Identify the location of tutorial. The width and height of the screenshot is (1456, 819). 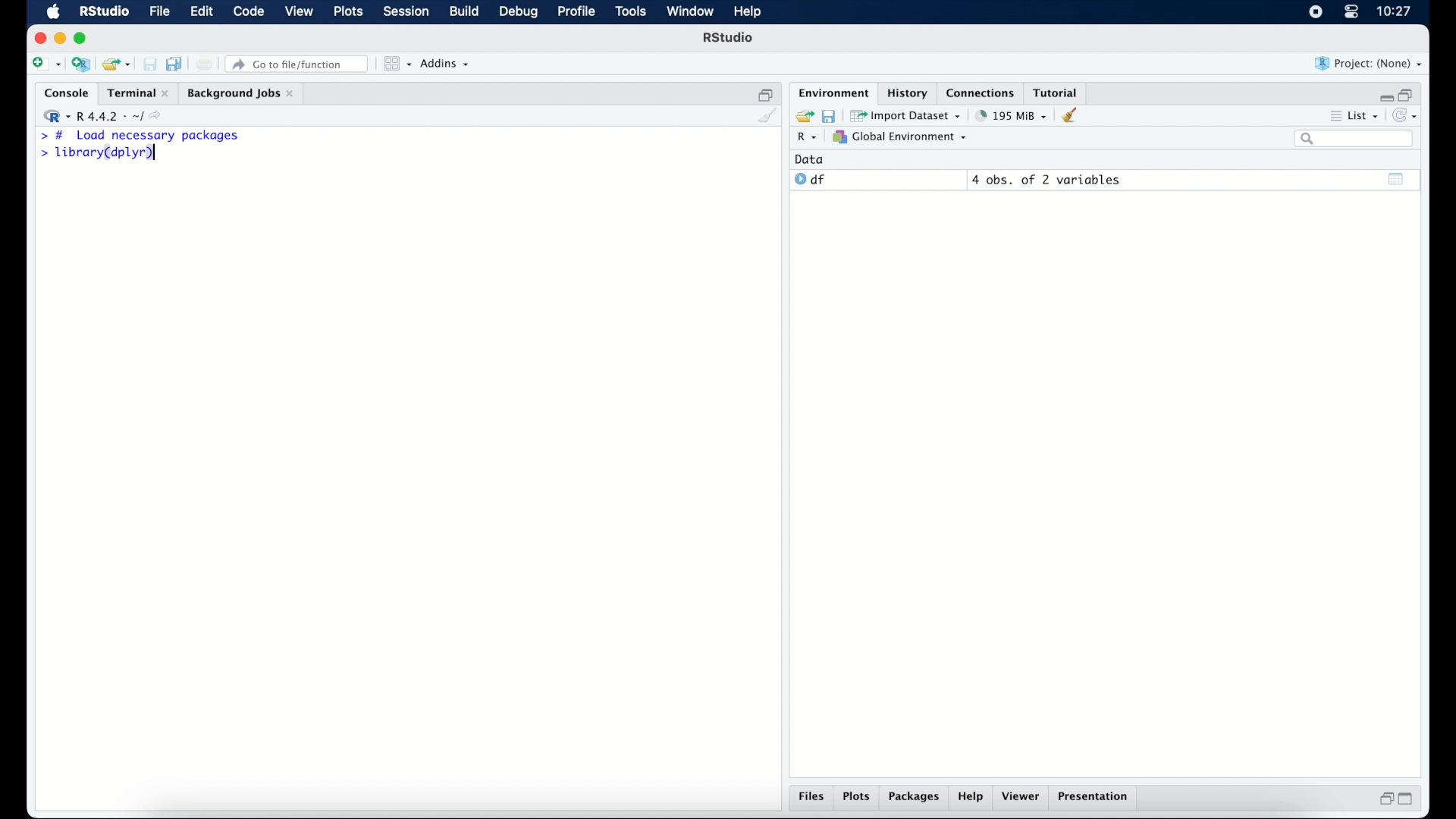
(1059, 92).